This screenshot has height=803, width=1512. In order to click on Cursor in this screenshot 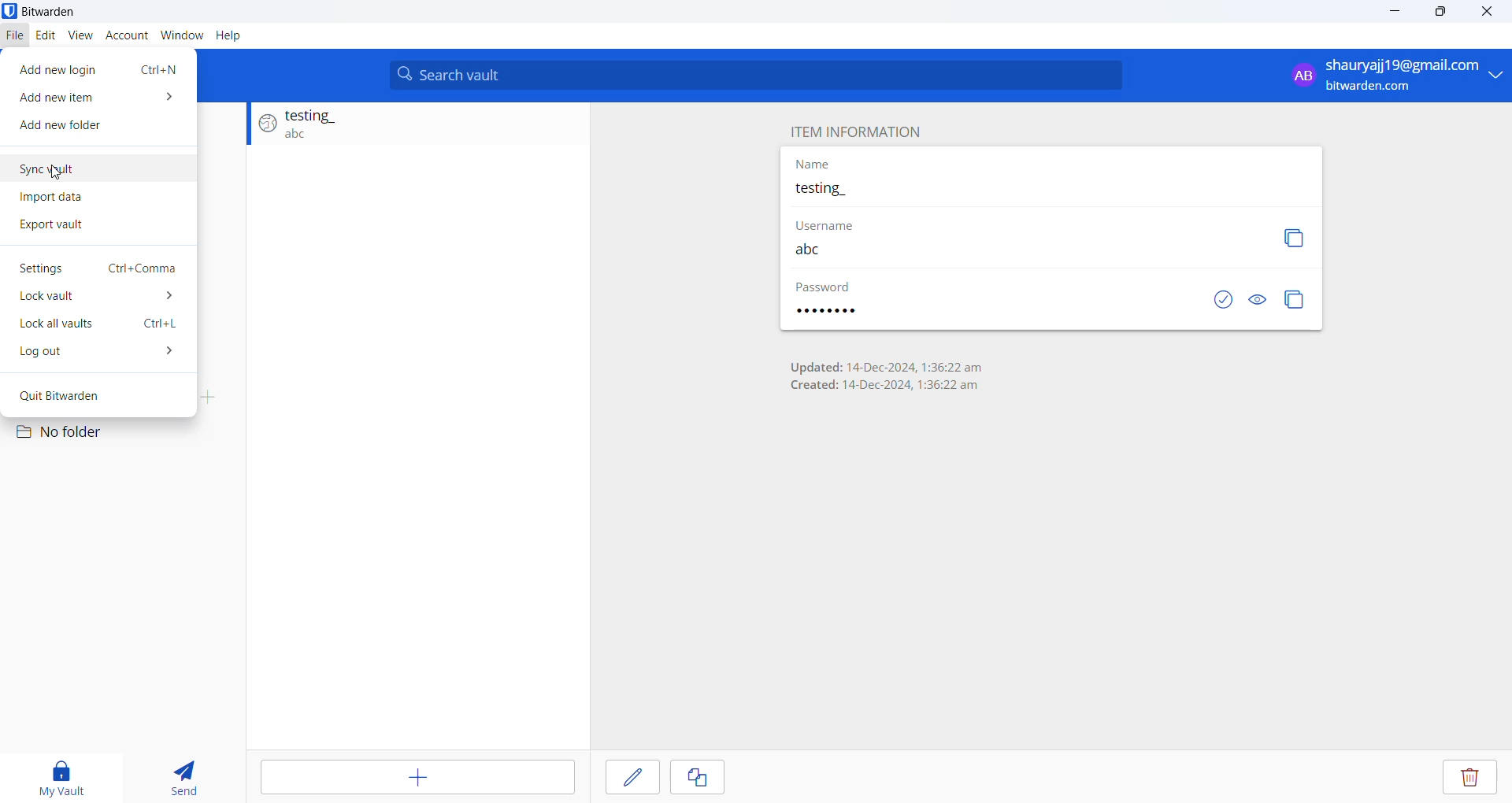, I will do `click(55, 176)`.